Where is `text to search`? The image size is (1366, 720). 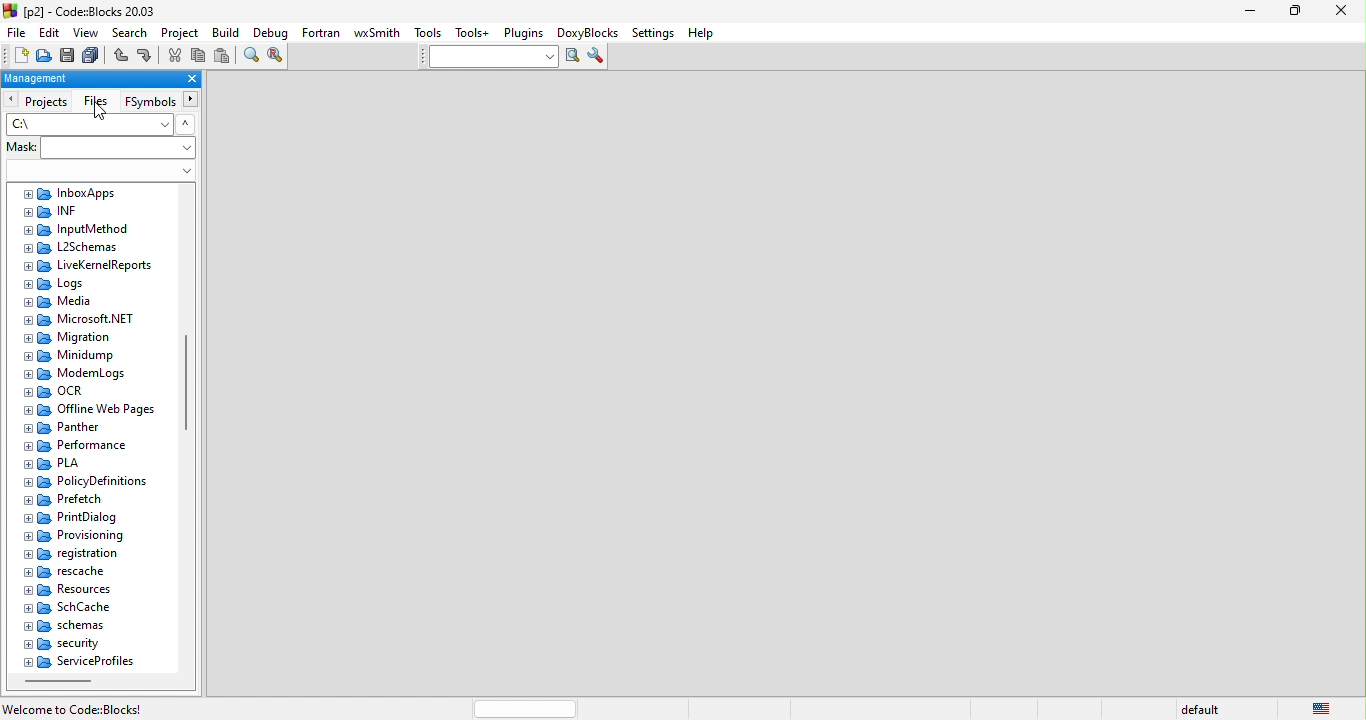 text to search is located at coordinates (488, 58).